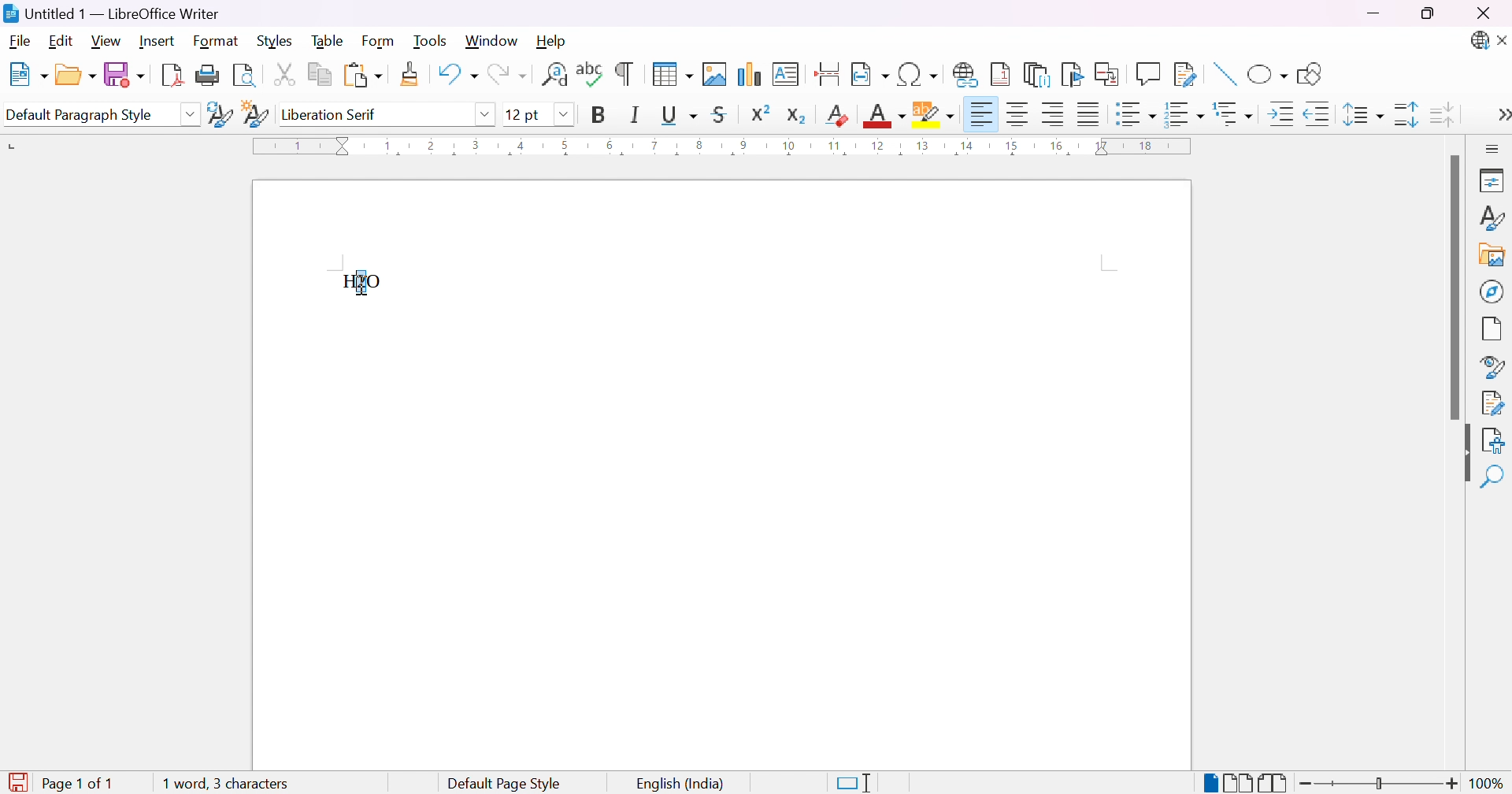  What do you see at coordinates (258, 116) in the screenshot?
I see `New style from selection` at bounding box center [258, 116].